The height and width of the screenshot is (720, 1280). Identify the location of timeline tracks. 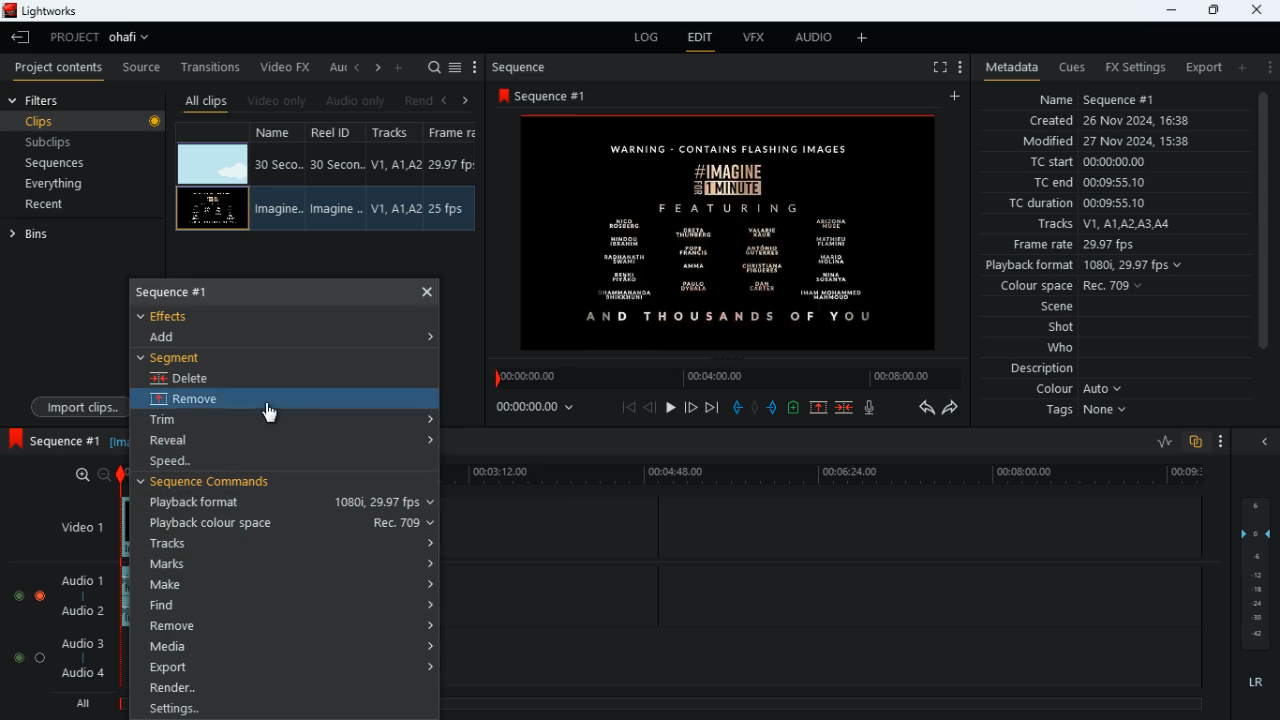
(823, 655).